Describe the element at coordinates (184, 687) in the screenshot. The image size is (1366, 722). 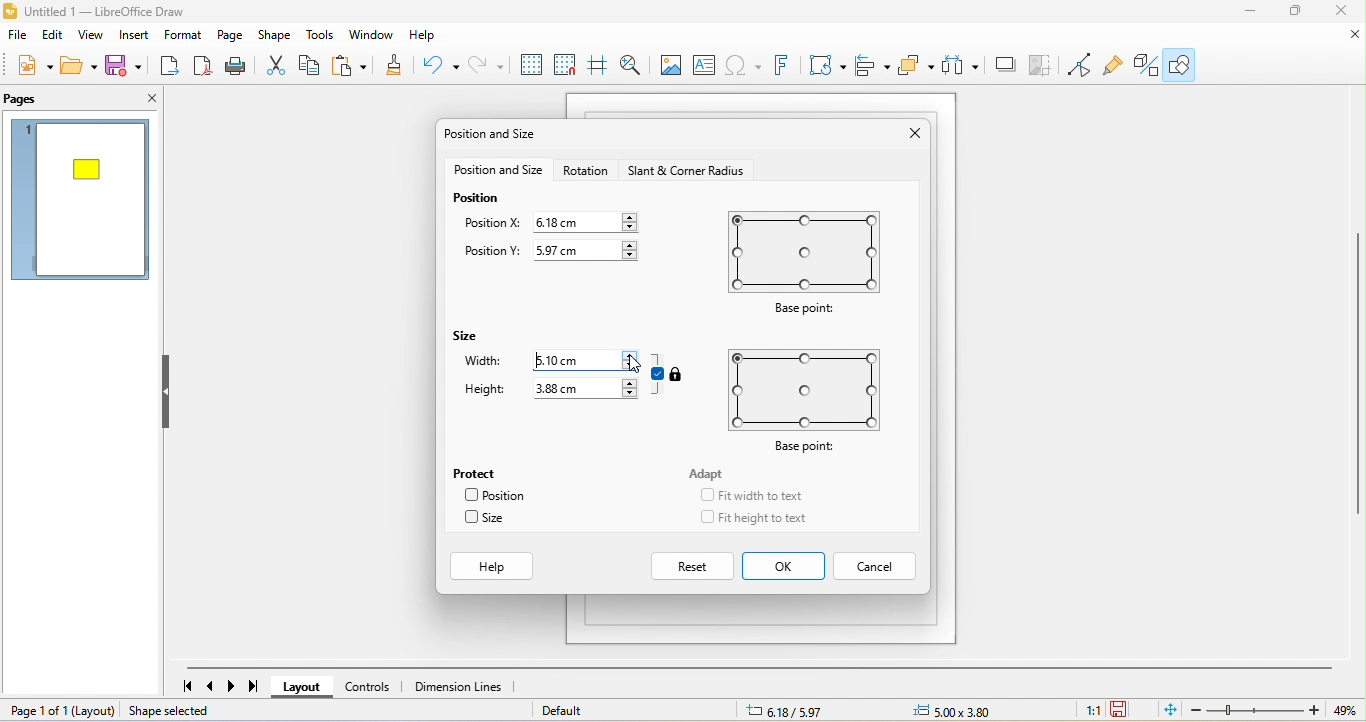
I see `first page` at that location.